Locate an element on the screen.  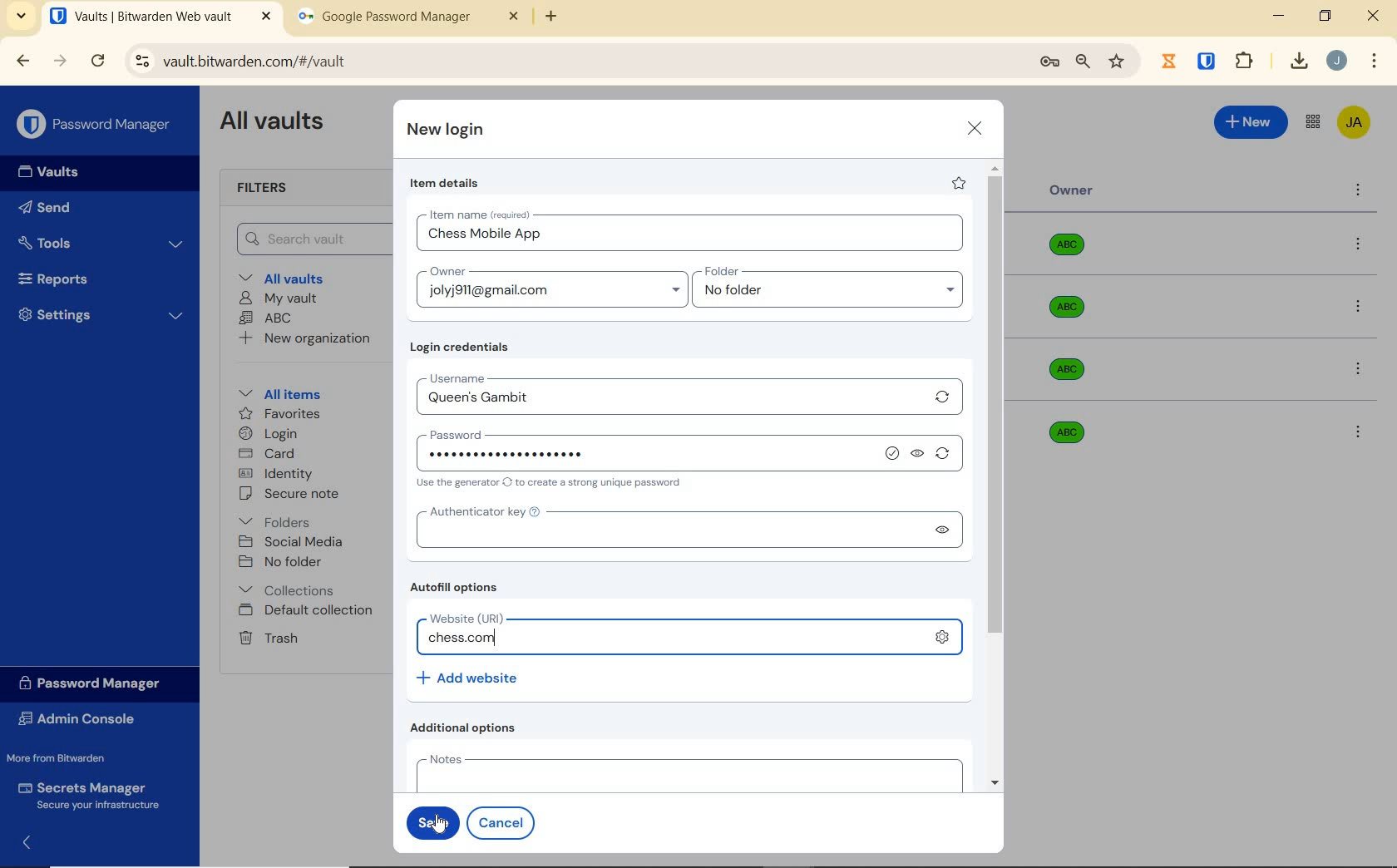
username is located at coordinates (504, 376).